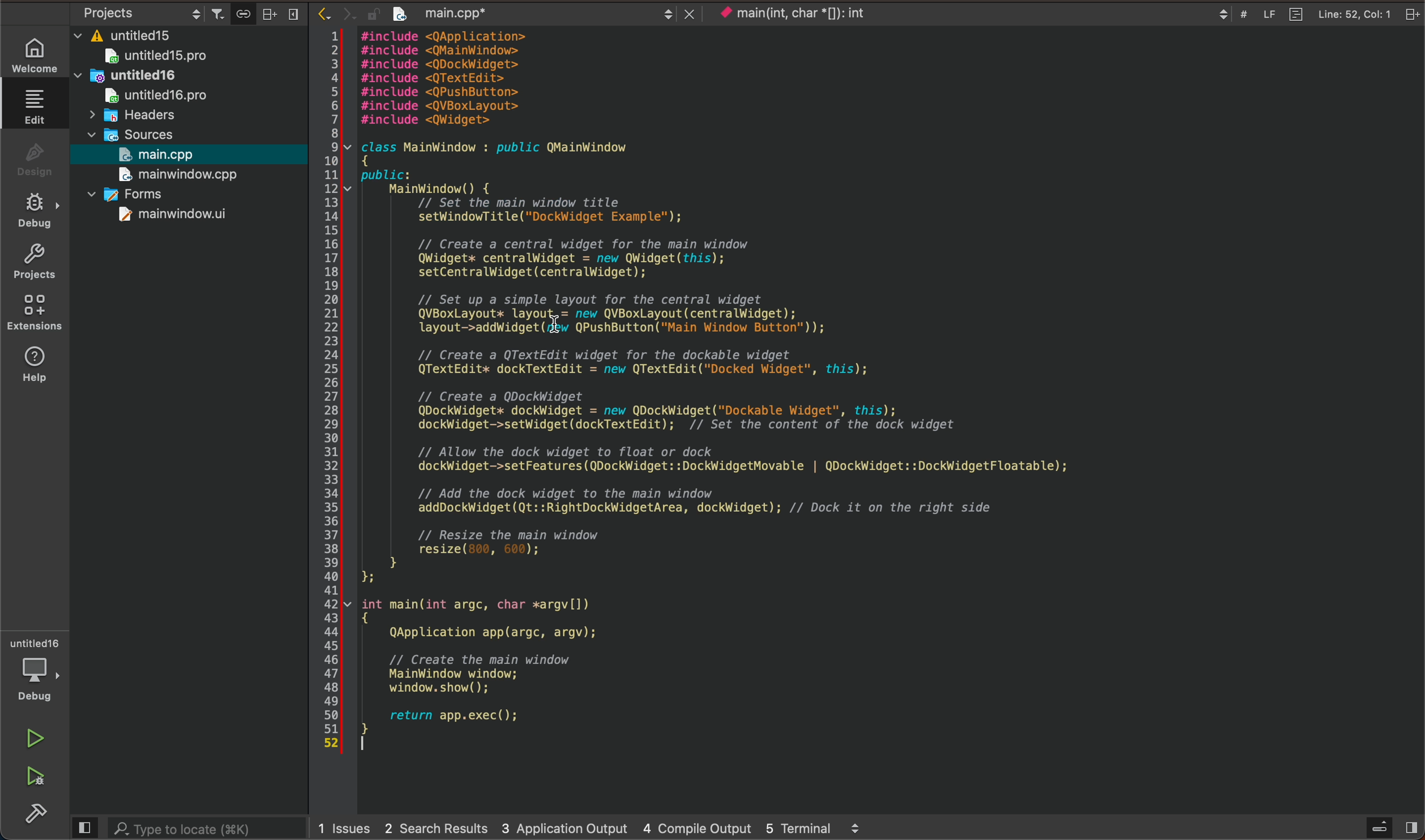 The height and width of the screenshot is (840, 1425). Describe the element at coordinates (791, 14) in the screenshot. I see `current context` at that location.